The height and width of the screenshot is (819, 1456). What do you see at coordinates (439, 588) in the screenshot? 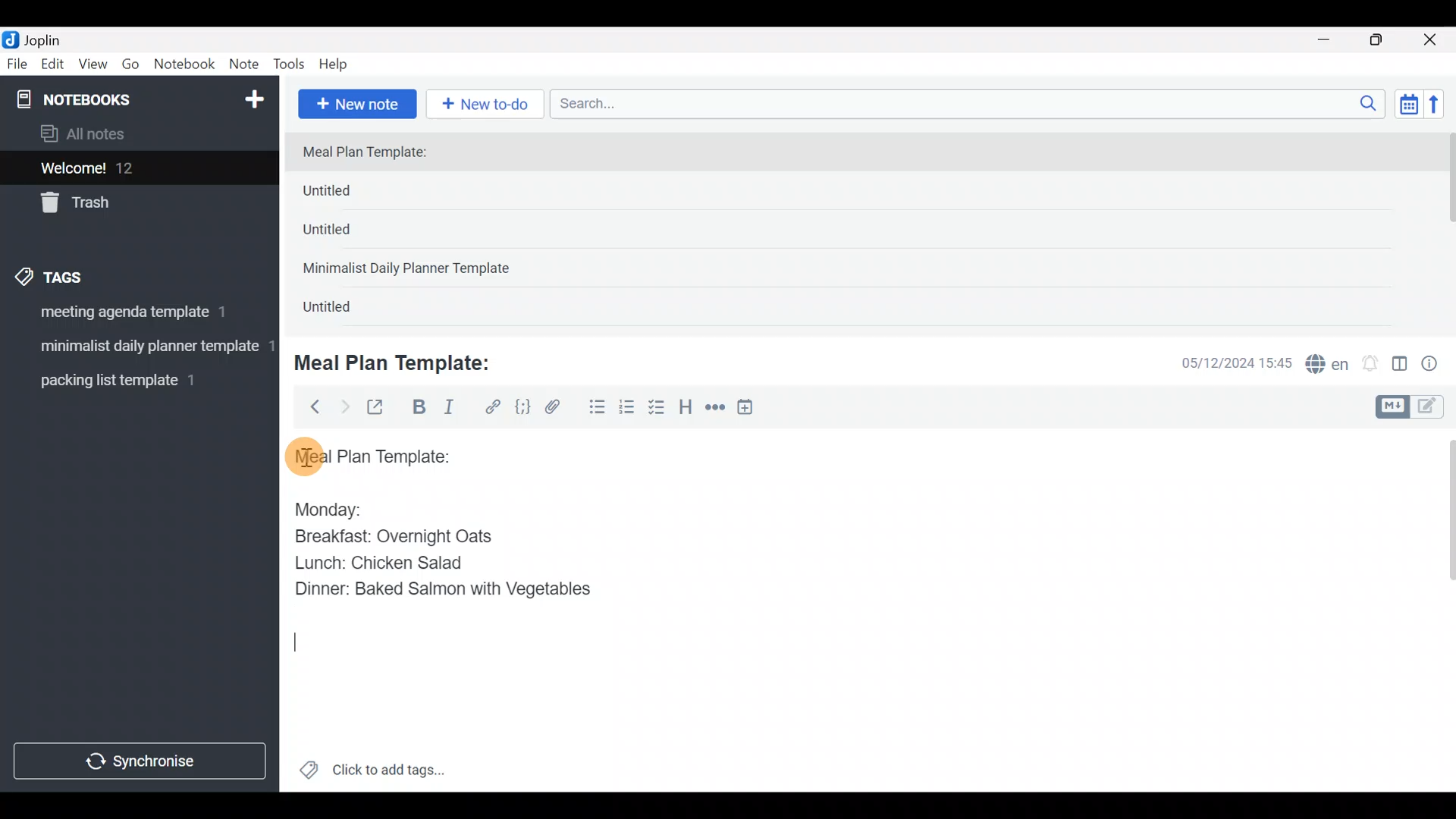
I see `Dinner: Baked Salmon with Vegetables` at bounding box center [439, 588].